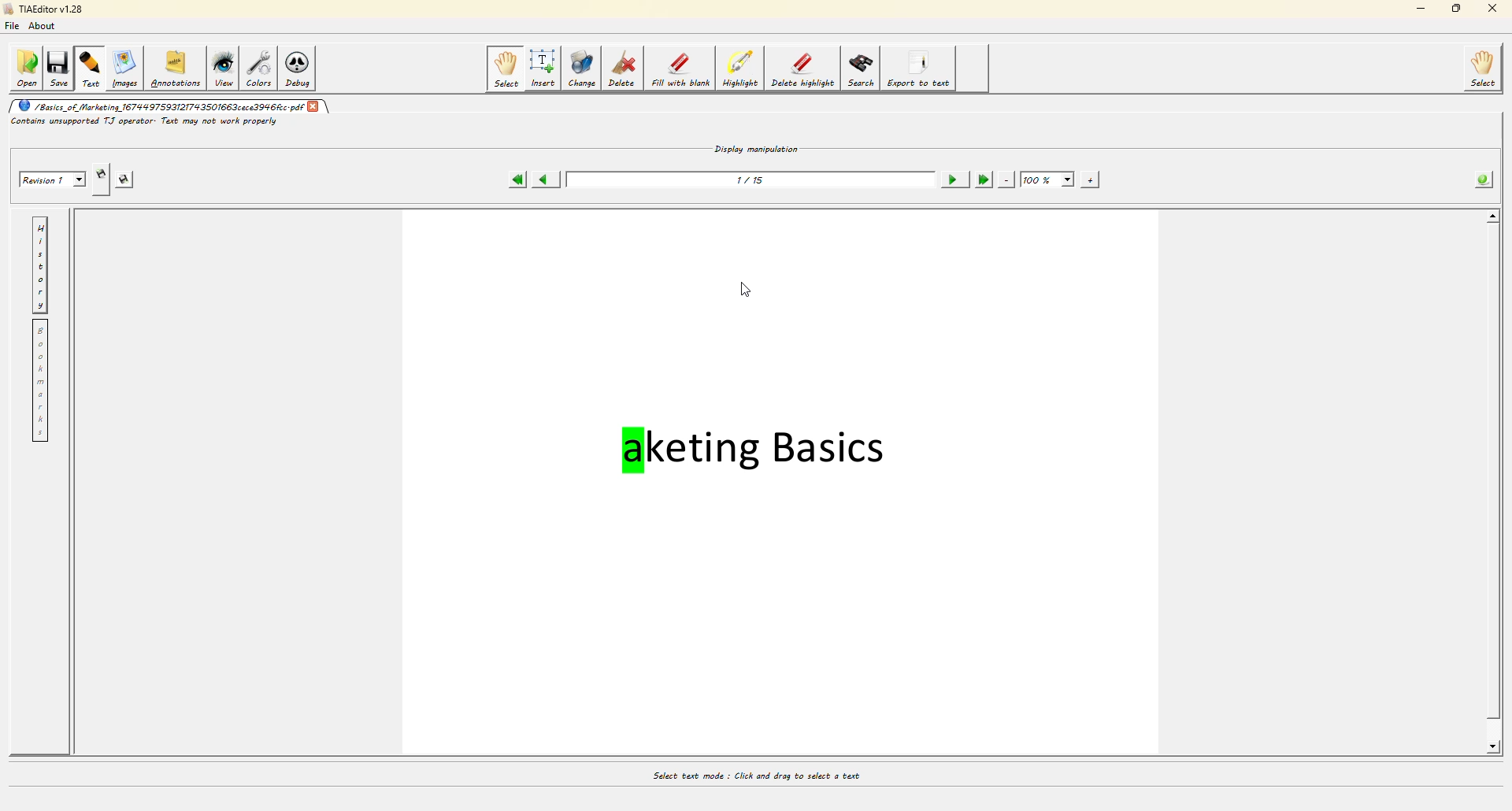  Describe the element at coordinates (1493, 9) in the screenshot. I see `close` at that location.